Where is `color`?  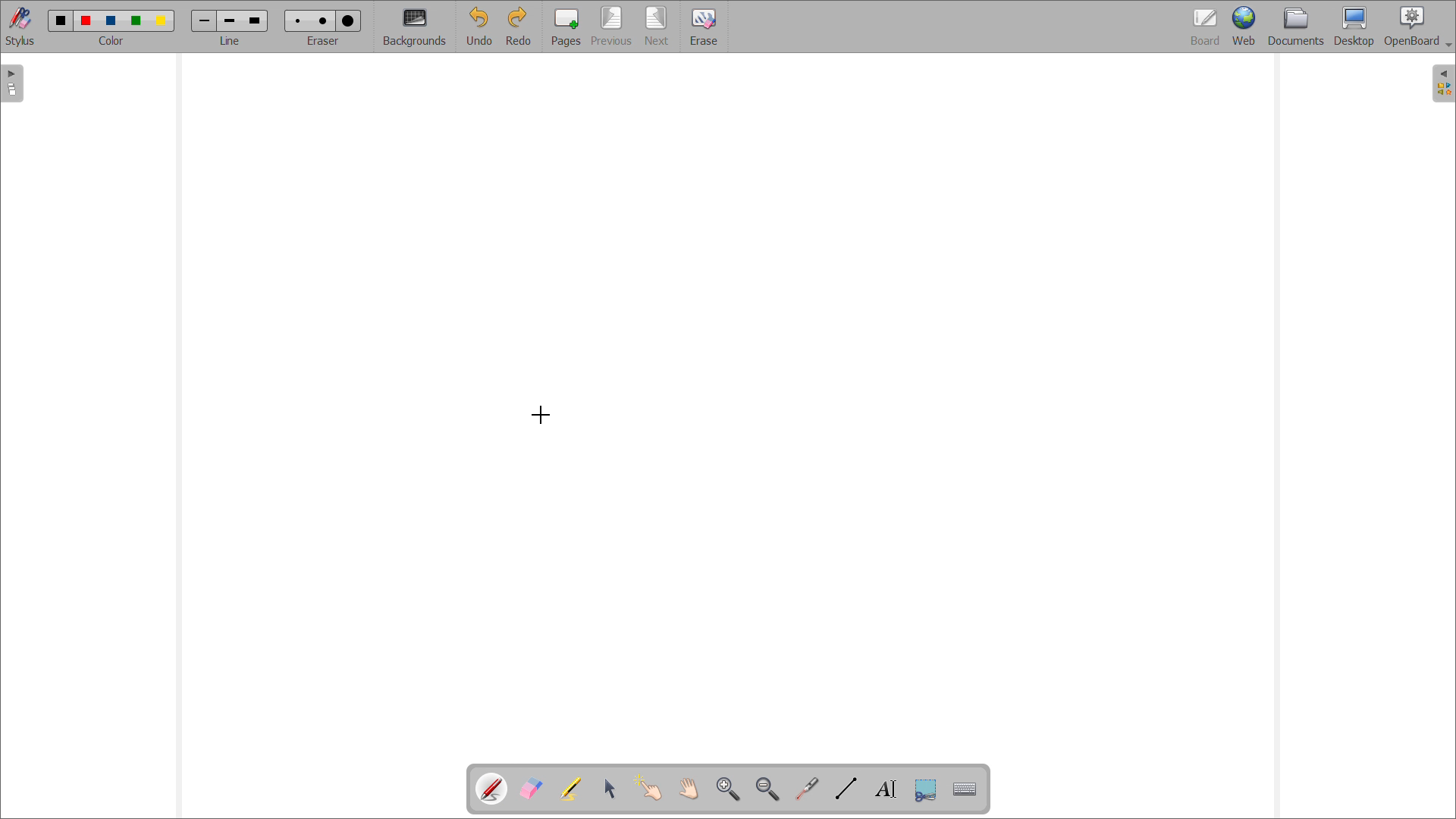 color is located at coordinates (88, 20).